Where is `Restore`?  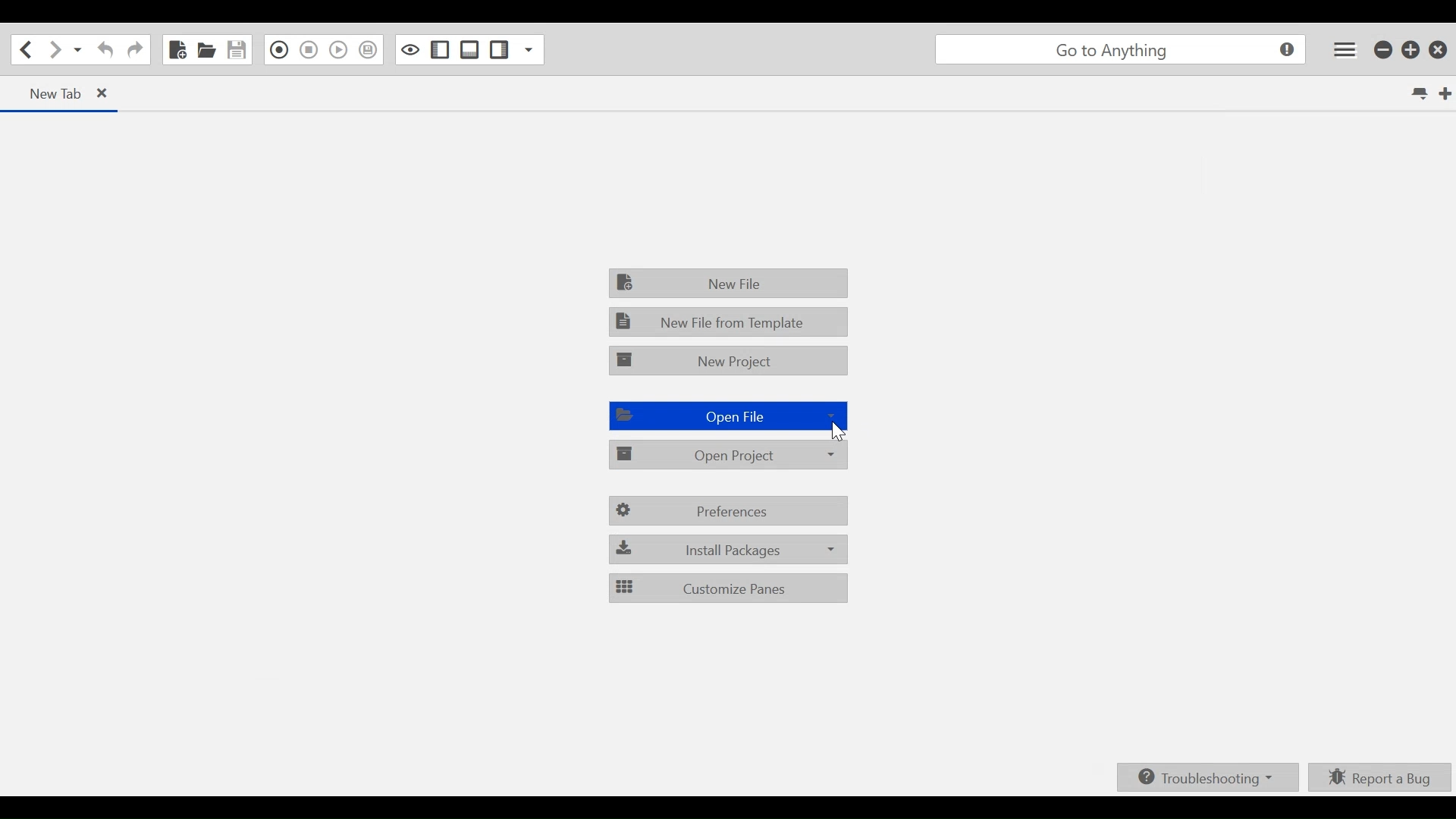 Restore is located at coordinates (1411, 49).